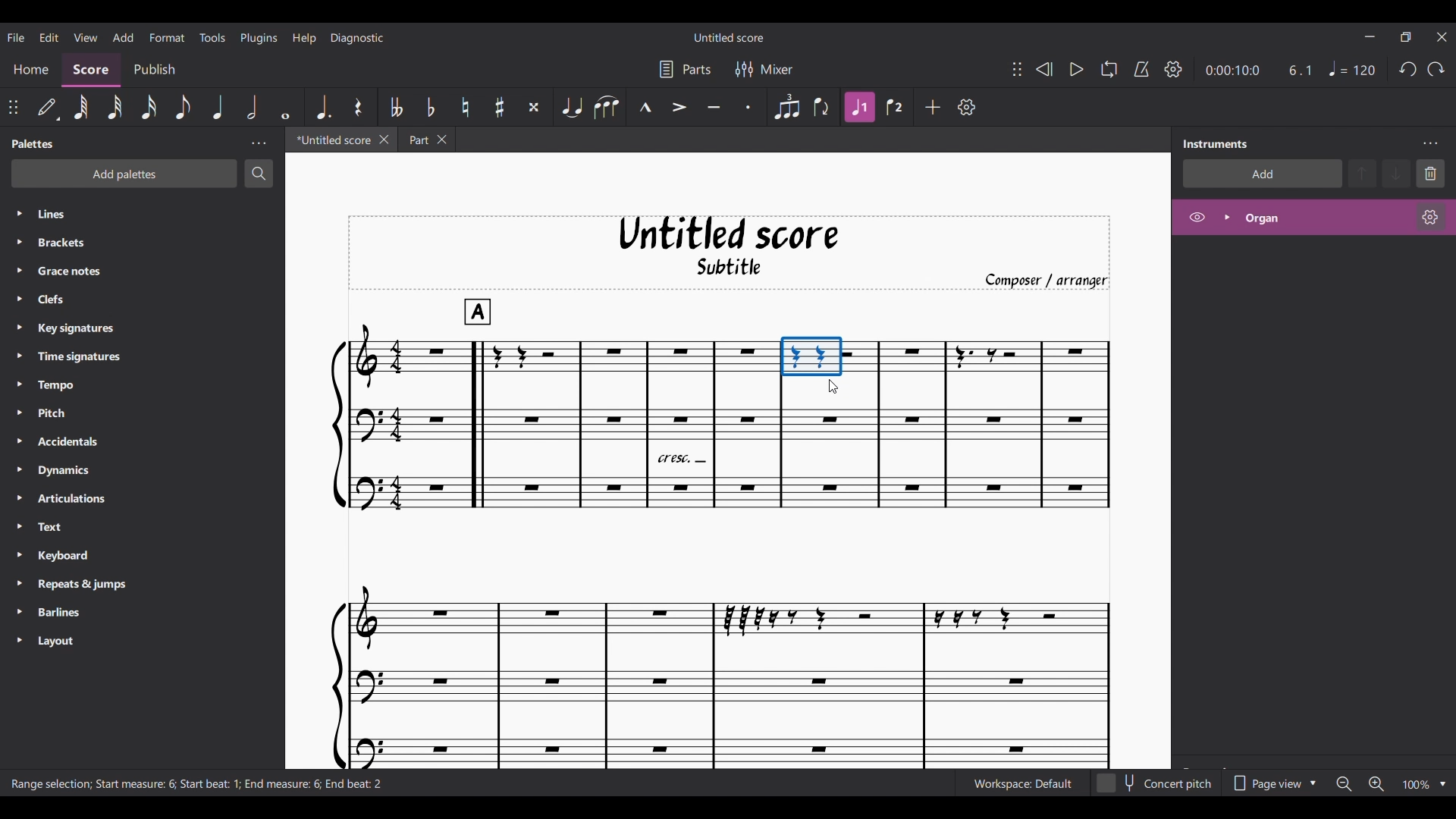 This screenshot has height=819, width=1456. What do you see at coordinates (966, 107) in the screenshot?
I see `Customize toolbar` at bounding box center [966, 107].